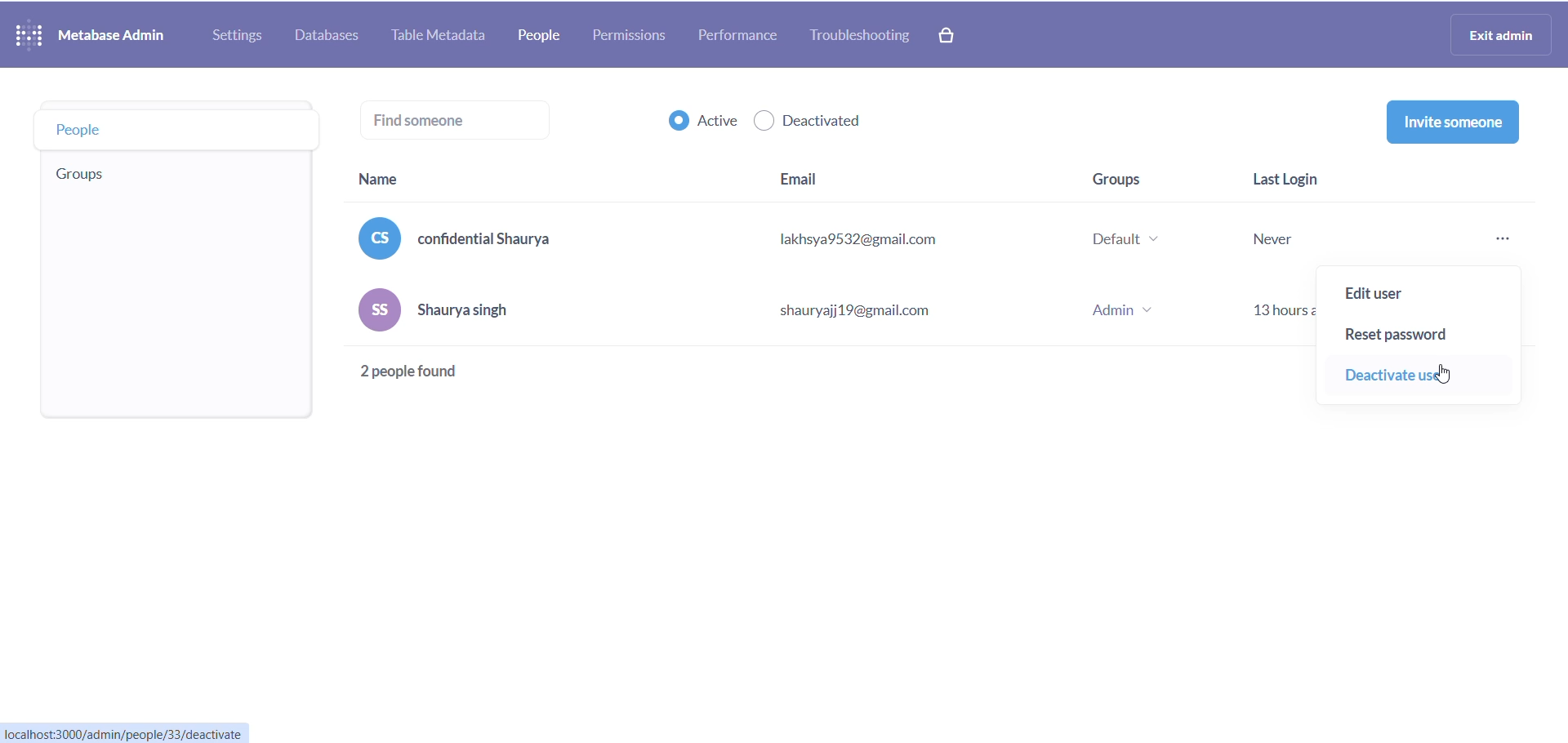 This screenshot has height=743, width=1568. I want to click on more options, so click(1503, 236).